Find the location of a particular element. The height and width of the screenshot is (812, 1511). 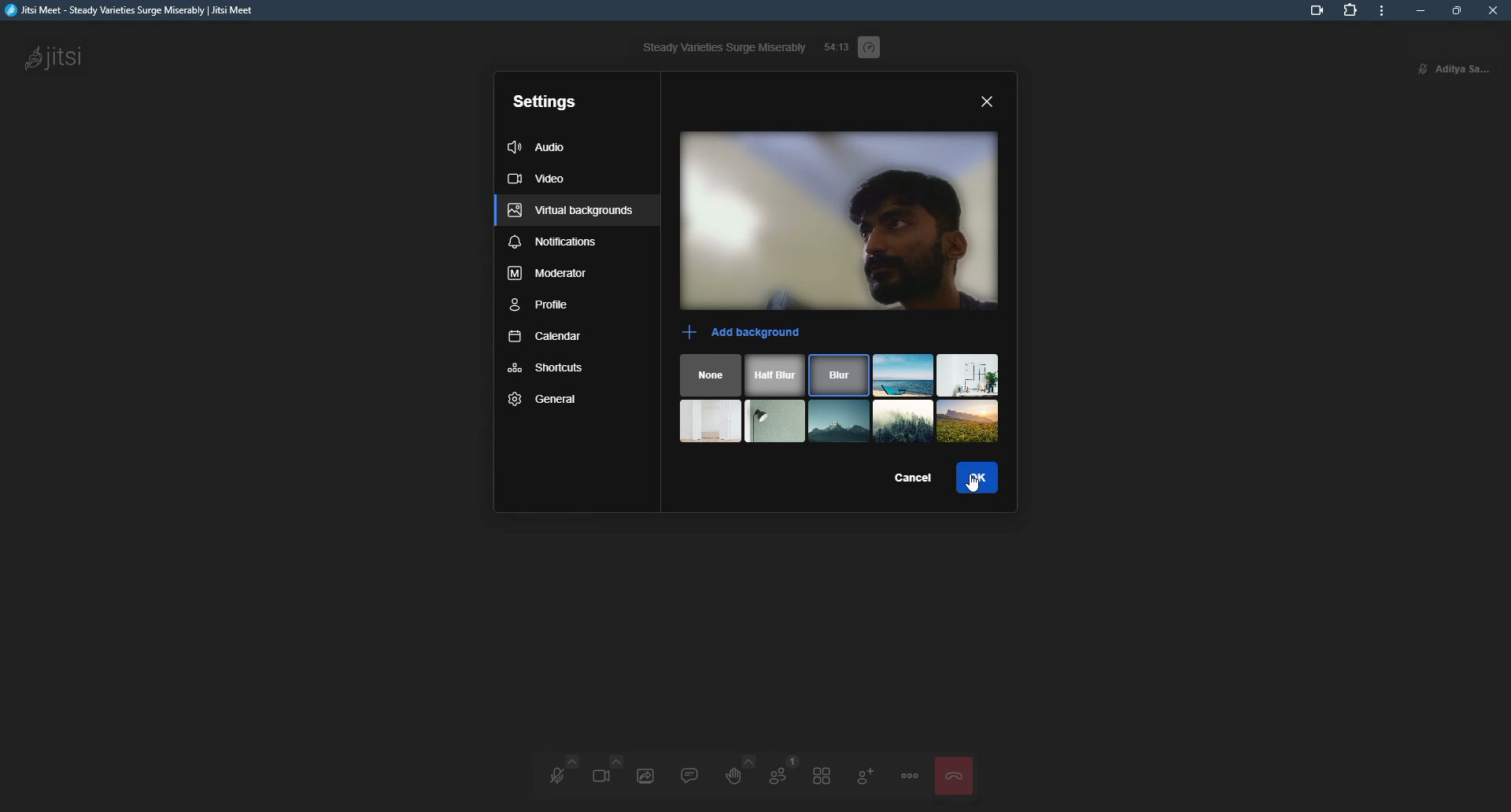

open chat is located at coordinates (689, 774).